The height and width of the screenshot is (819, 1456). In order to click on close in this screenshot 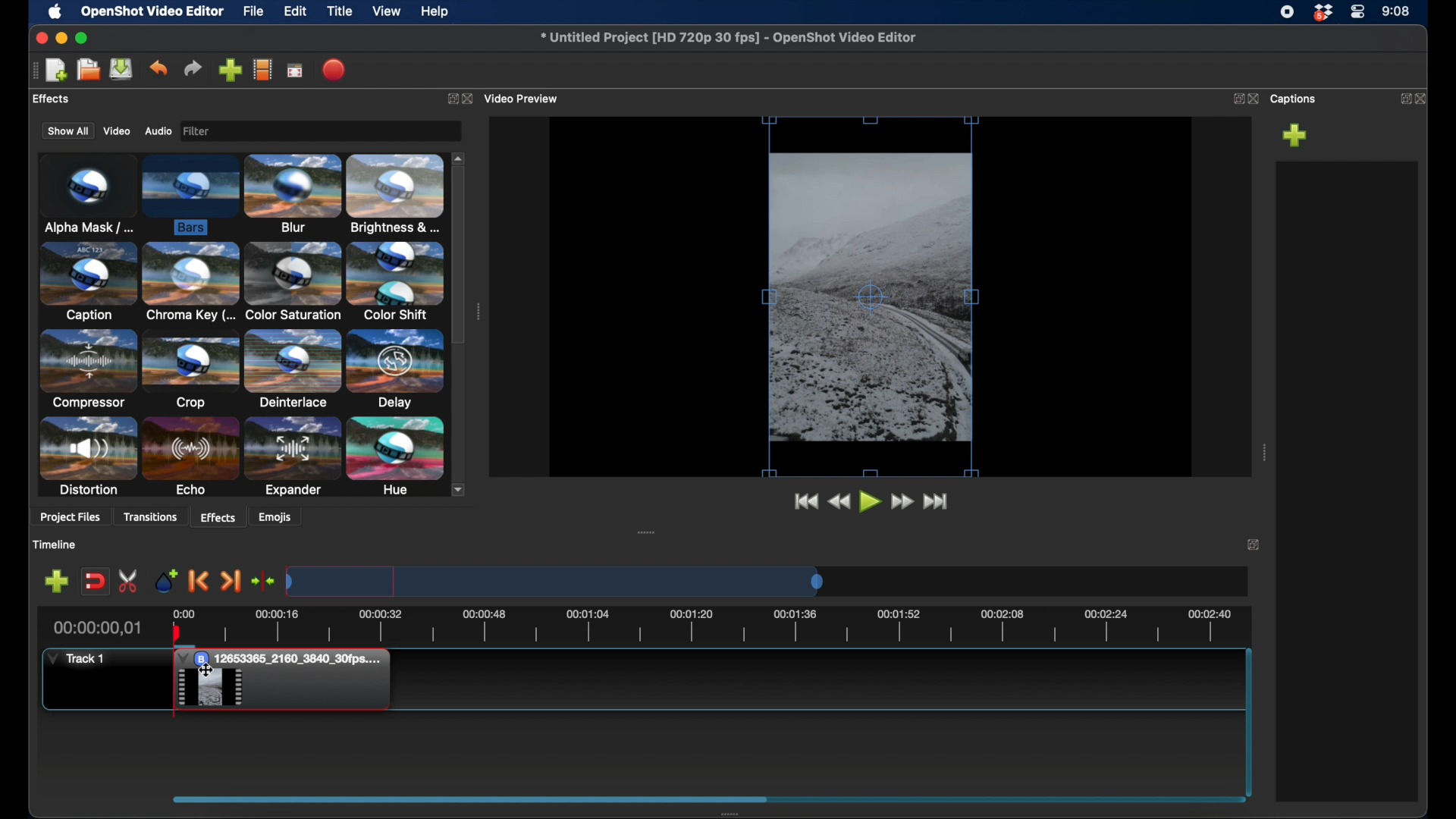, I will do `click(39, 38)`.